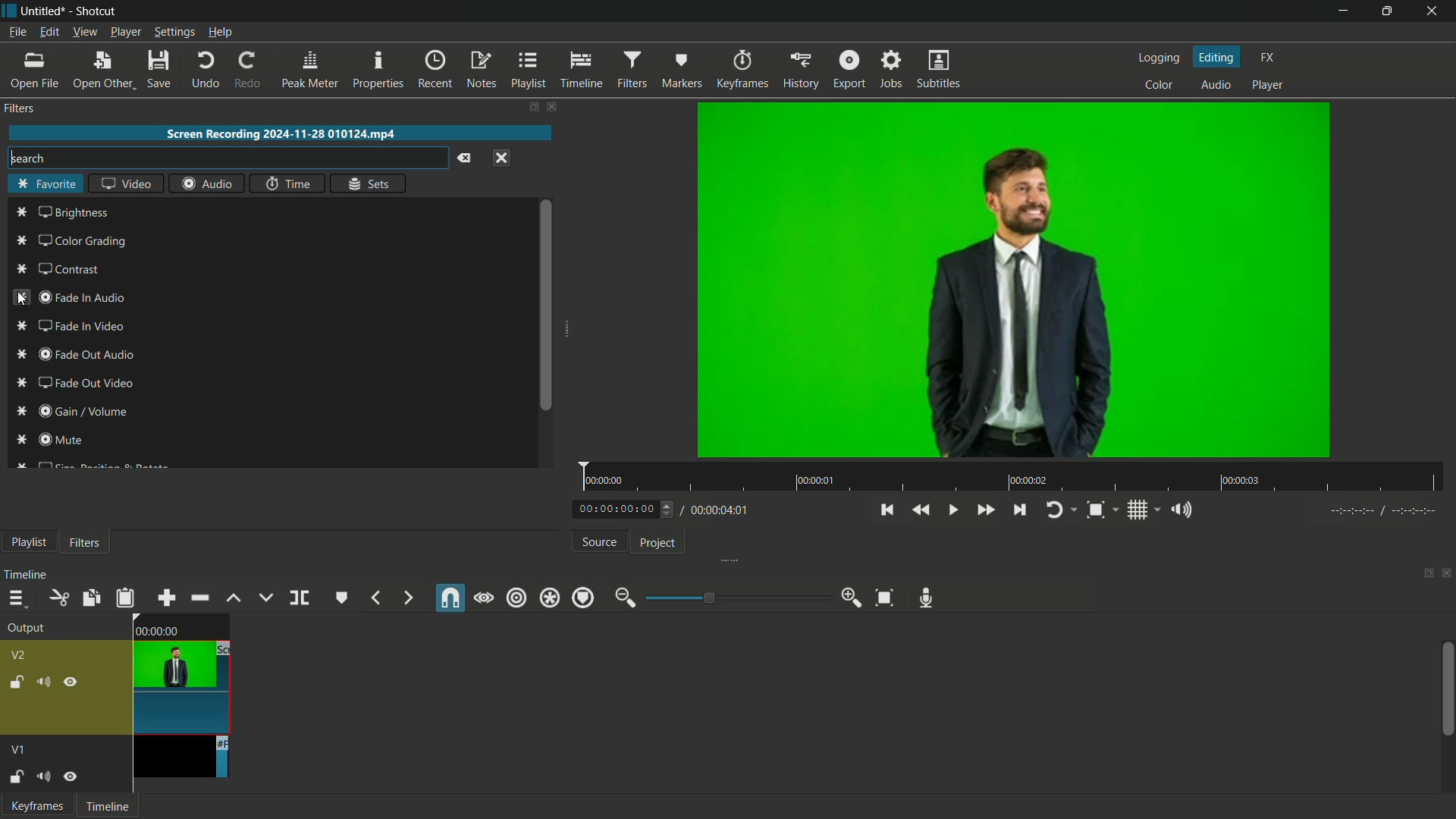  I want to click on audio, so click(1216, 86).